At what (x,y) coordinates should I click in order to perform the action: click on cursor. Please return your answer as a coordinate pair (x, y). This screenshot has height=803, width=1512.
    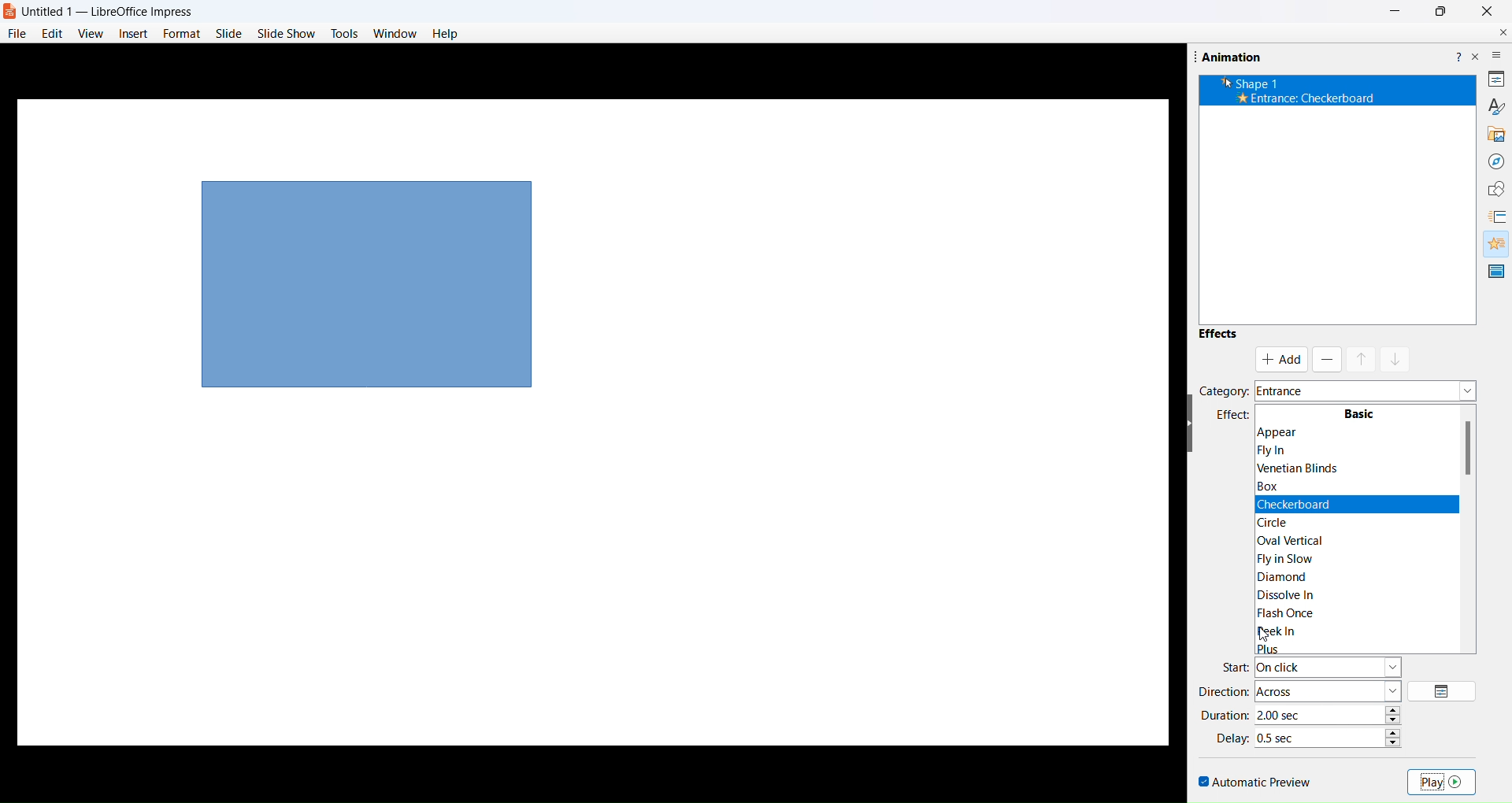
    Looking at the image, I should click on (1265, 638).